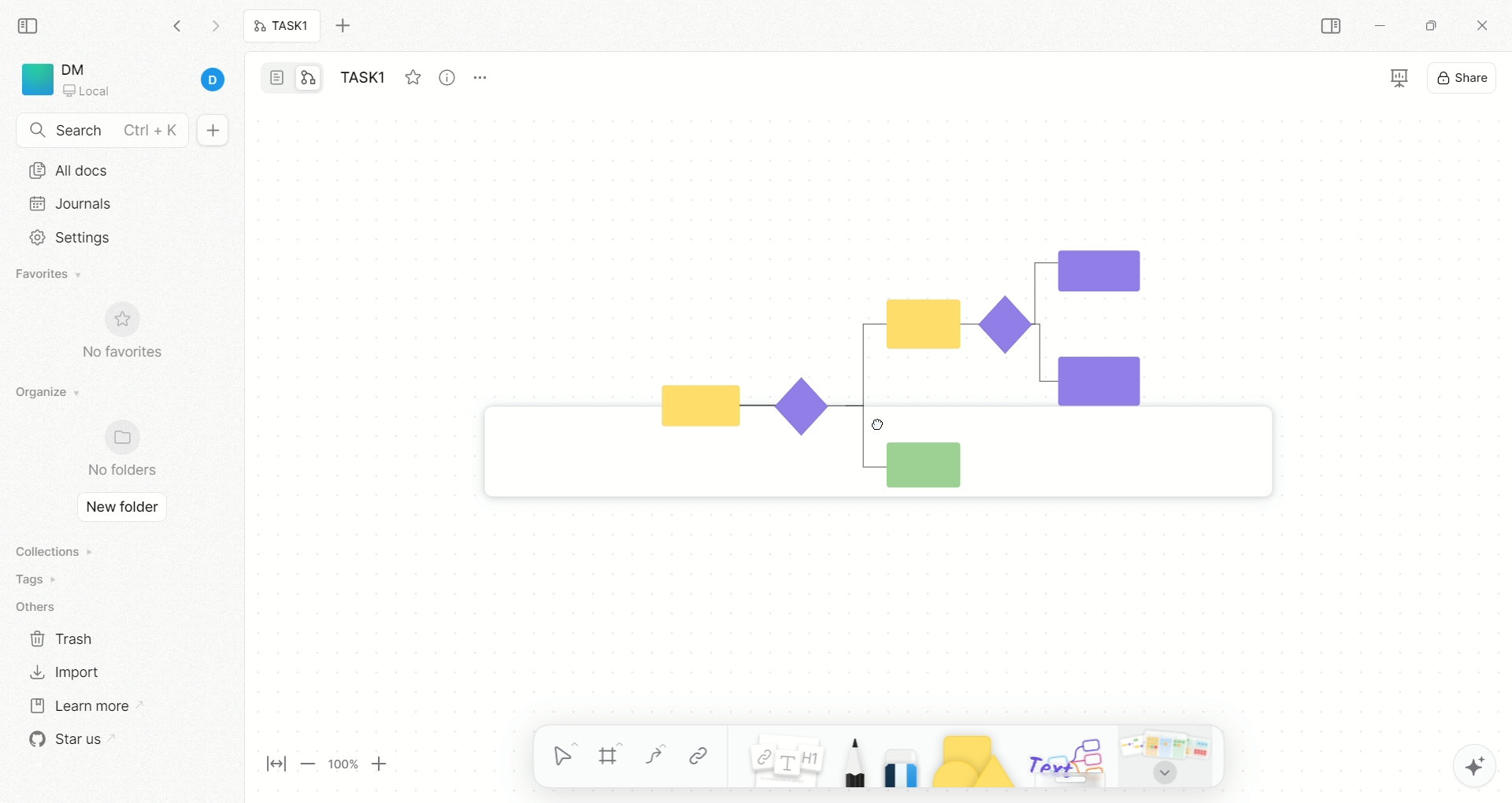 This screenshot has width=1512, height=803. I want to click on task1, so click(283, 28).